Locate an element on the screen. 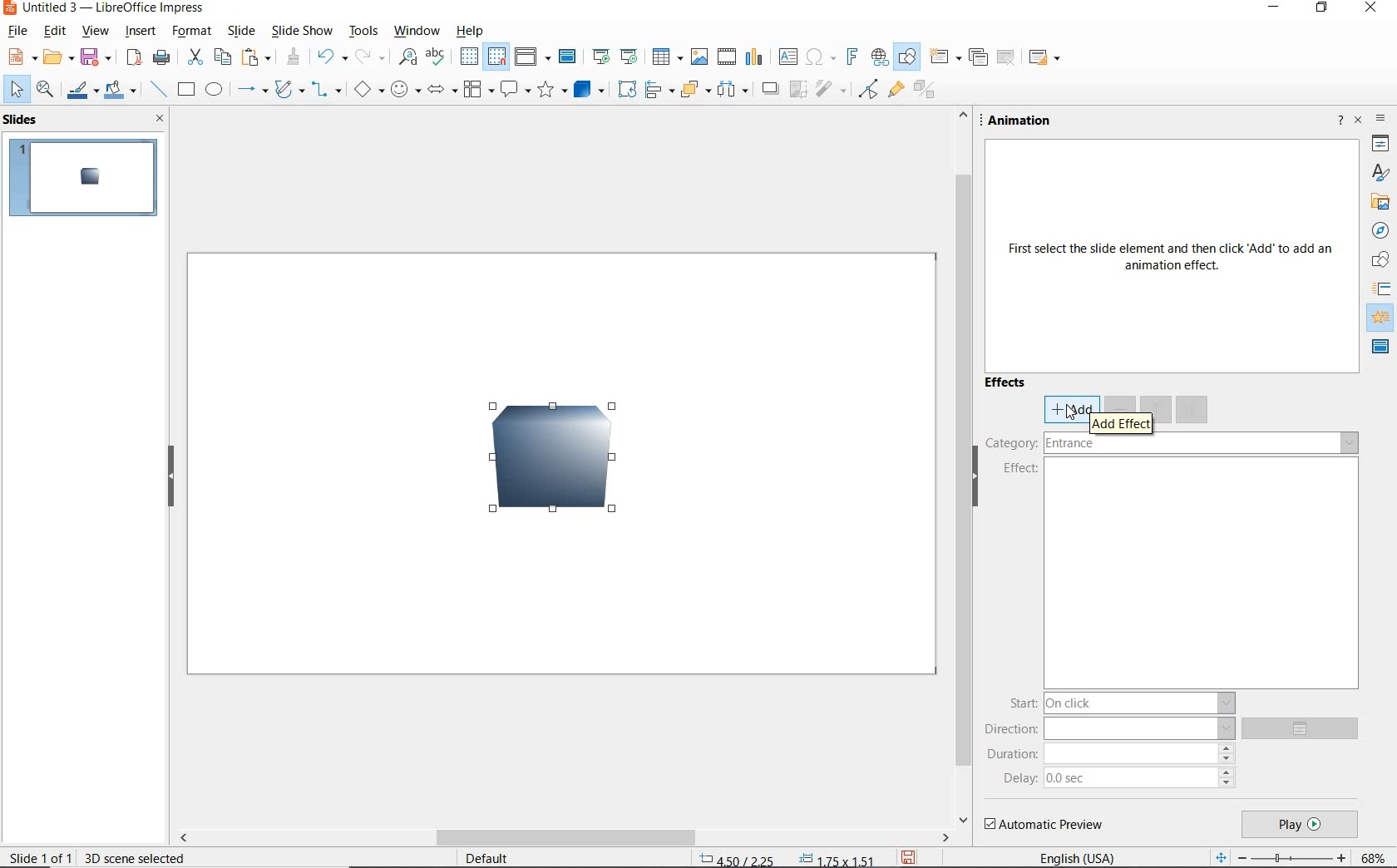 Image resolution: width=1397 pixels, height=868 pixels. edit is located at coordinates (55, 32).